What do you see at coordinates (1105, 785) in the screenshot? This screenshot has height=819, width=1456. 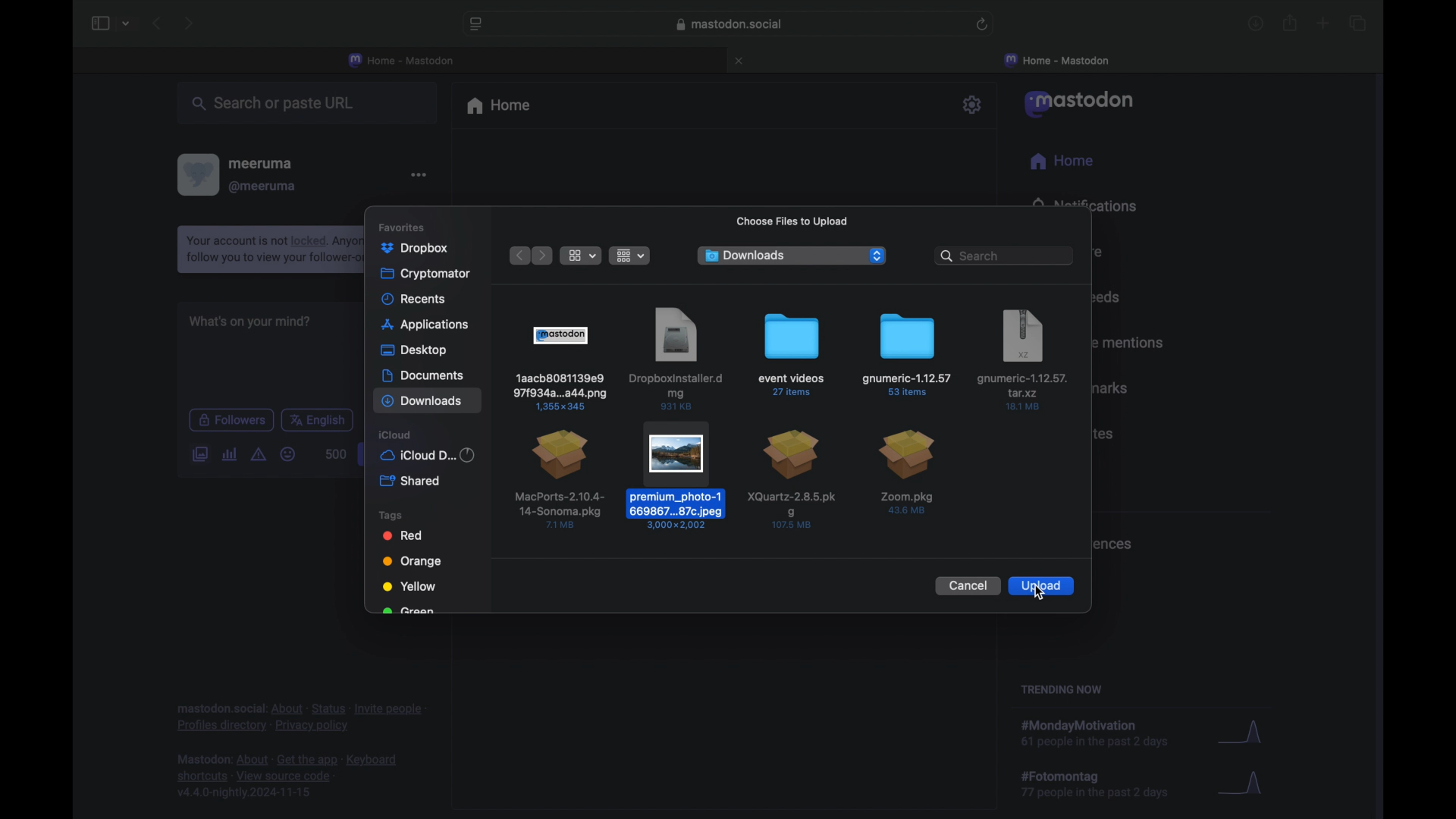 I see `hashtag trend` at bounding box center [1105, 785].